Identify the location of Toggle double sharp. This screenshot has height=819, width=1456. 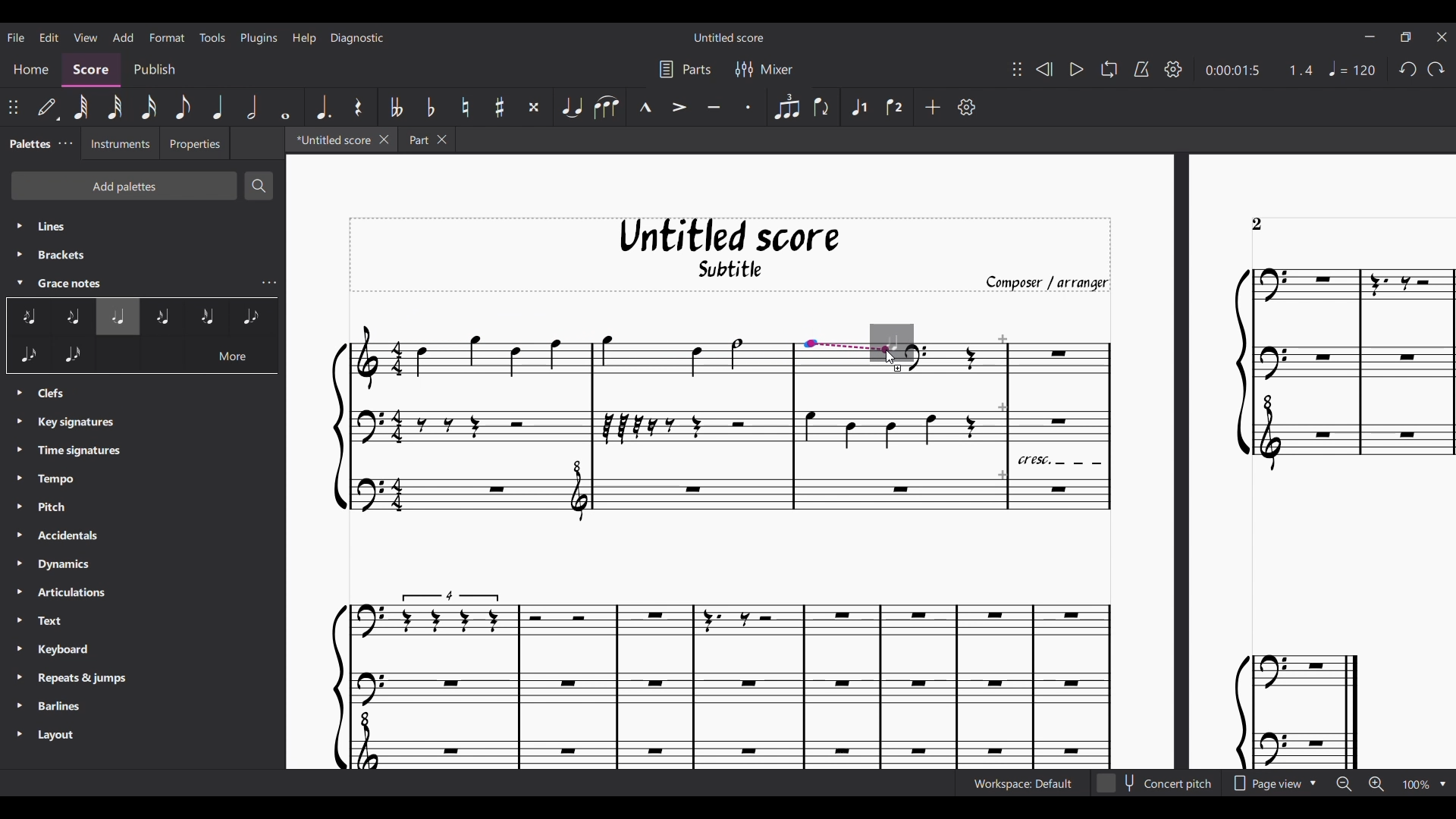
(534, 108).